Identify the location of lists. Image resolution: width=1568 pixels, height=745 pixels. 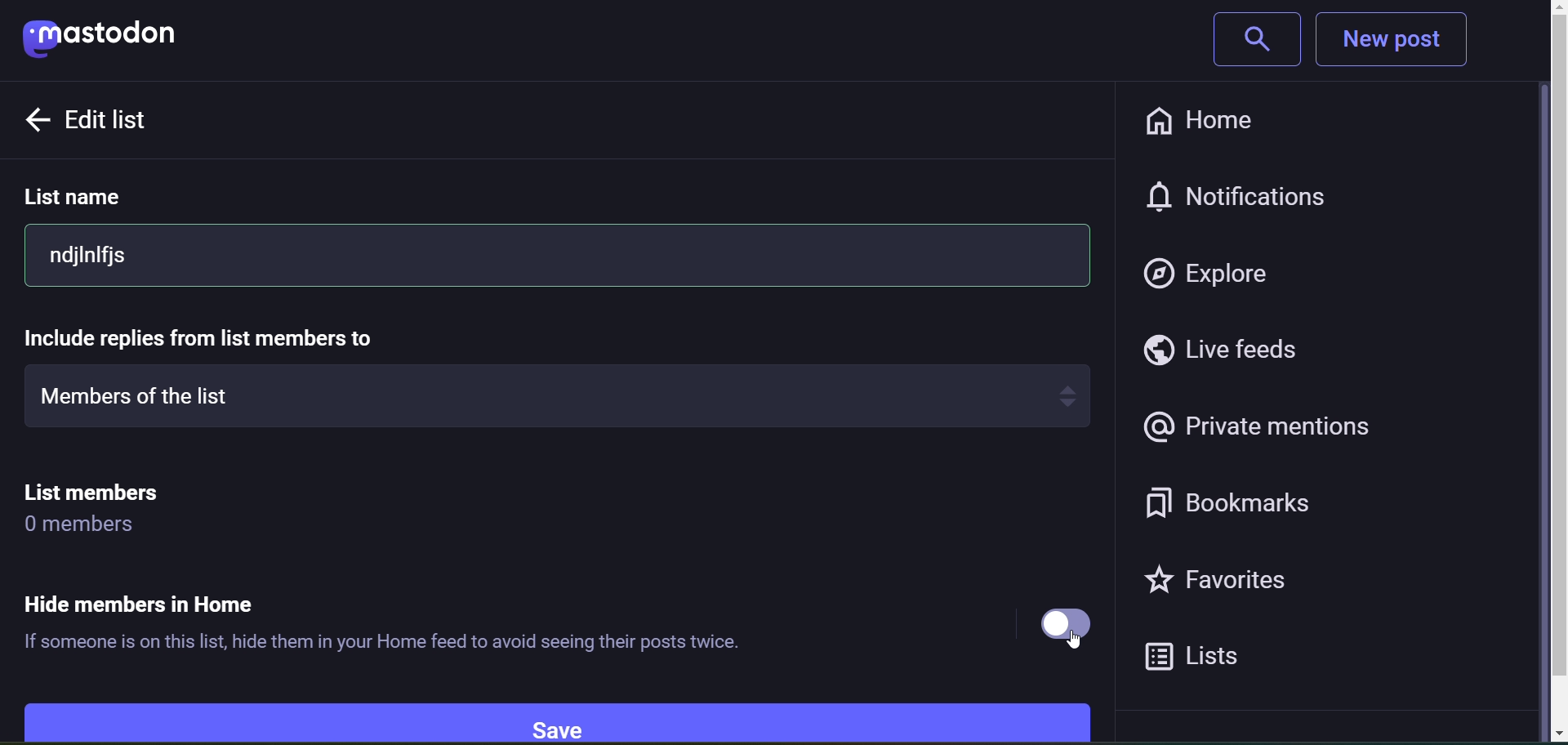
(1214, 658).